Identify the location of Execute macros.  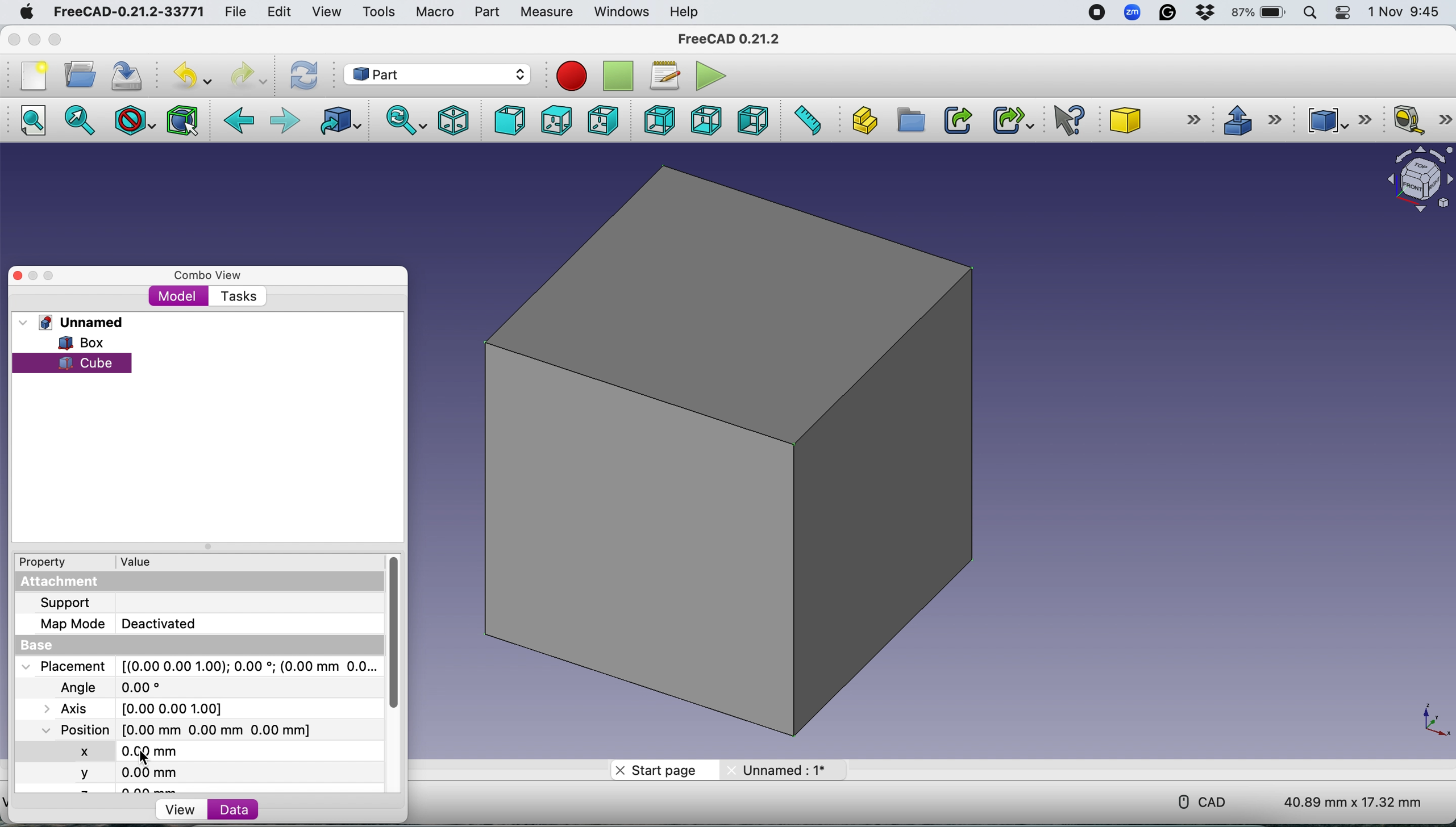
(714, 74).